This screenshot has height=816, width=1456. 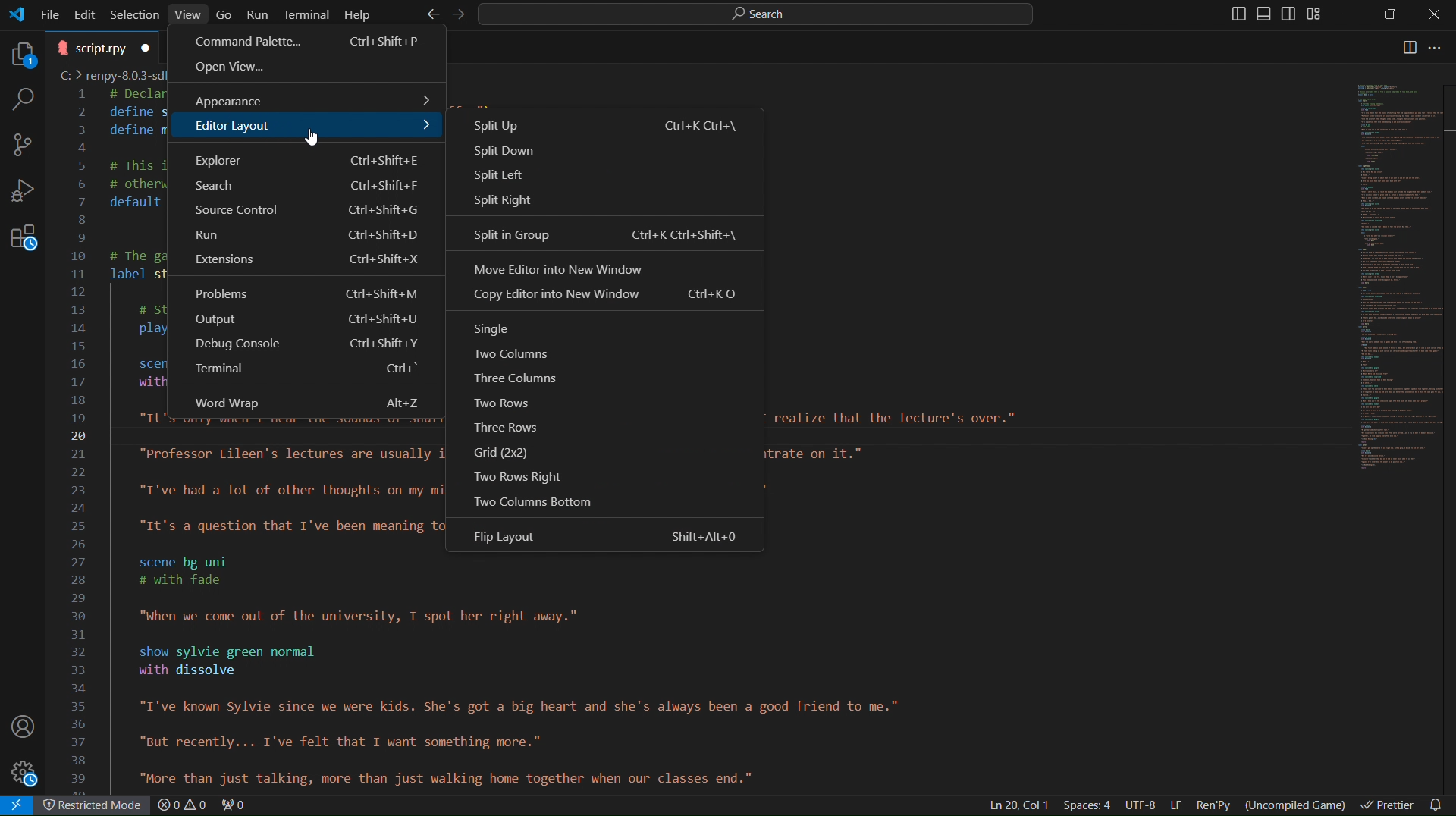 I want to click on Full File view, so click(x=1389, y=276).